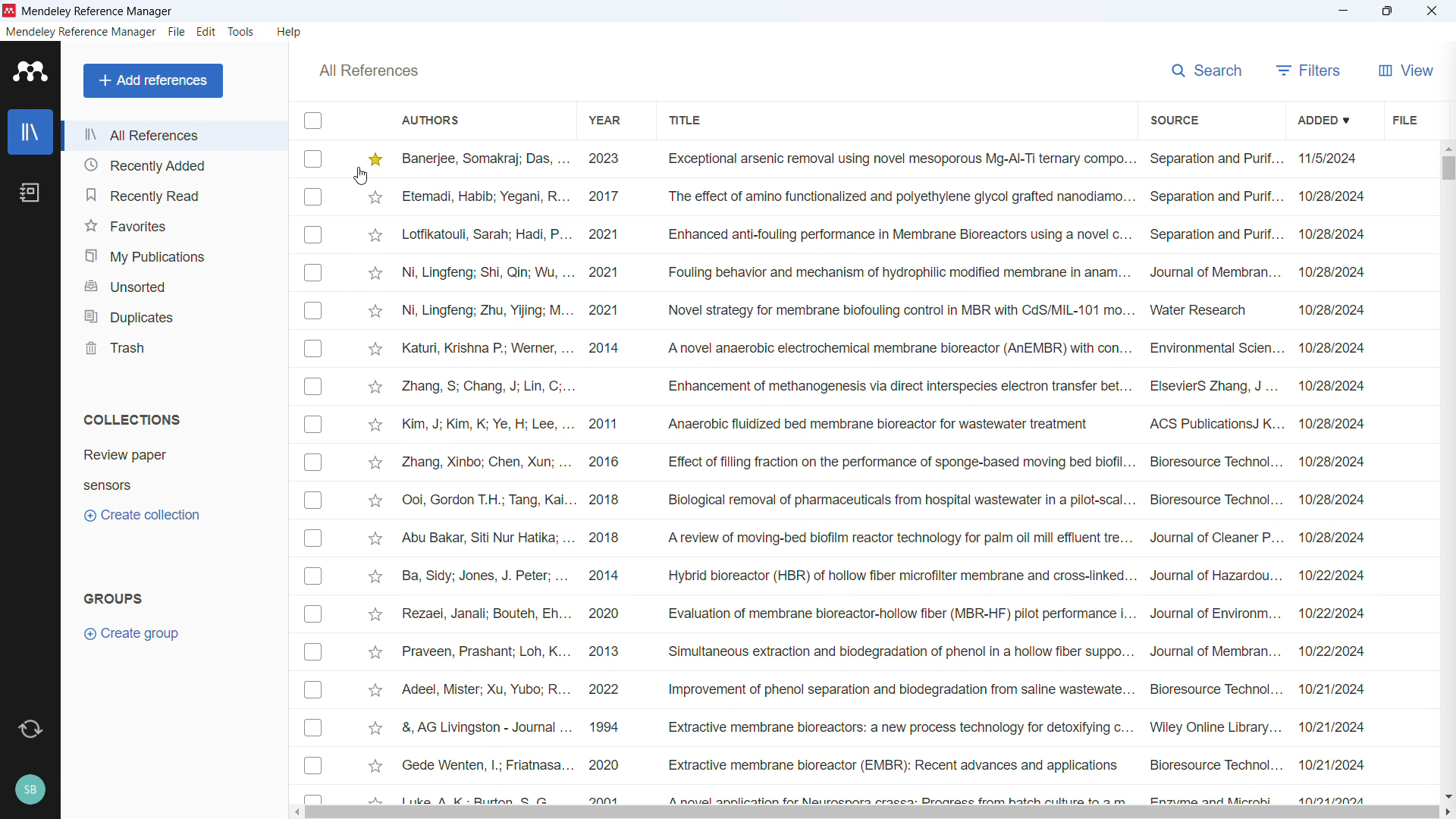  Describe the element at coordinates (174, 253) in the screenshot. I see `My publications ` at that location.